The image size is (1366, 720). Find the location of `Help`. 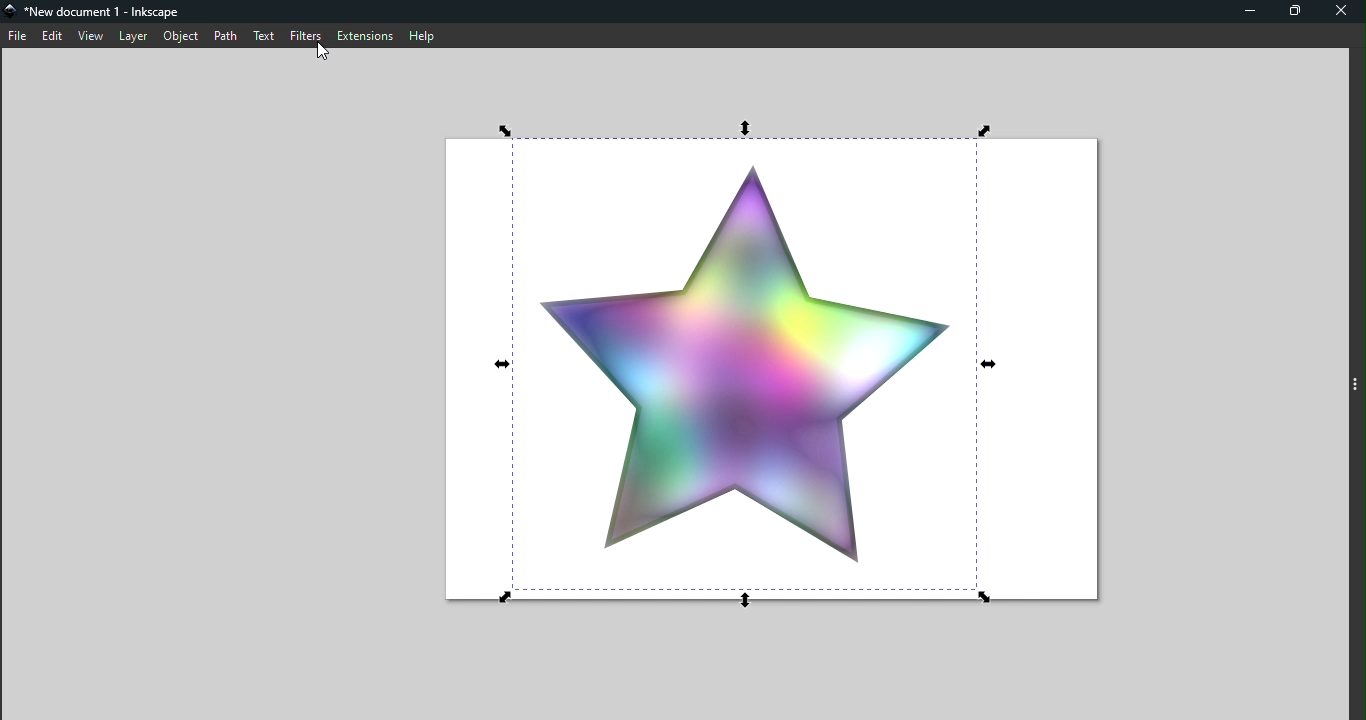

Help is located at coordinates (424, 35).